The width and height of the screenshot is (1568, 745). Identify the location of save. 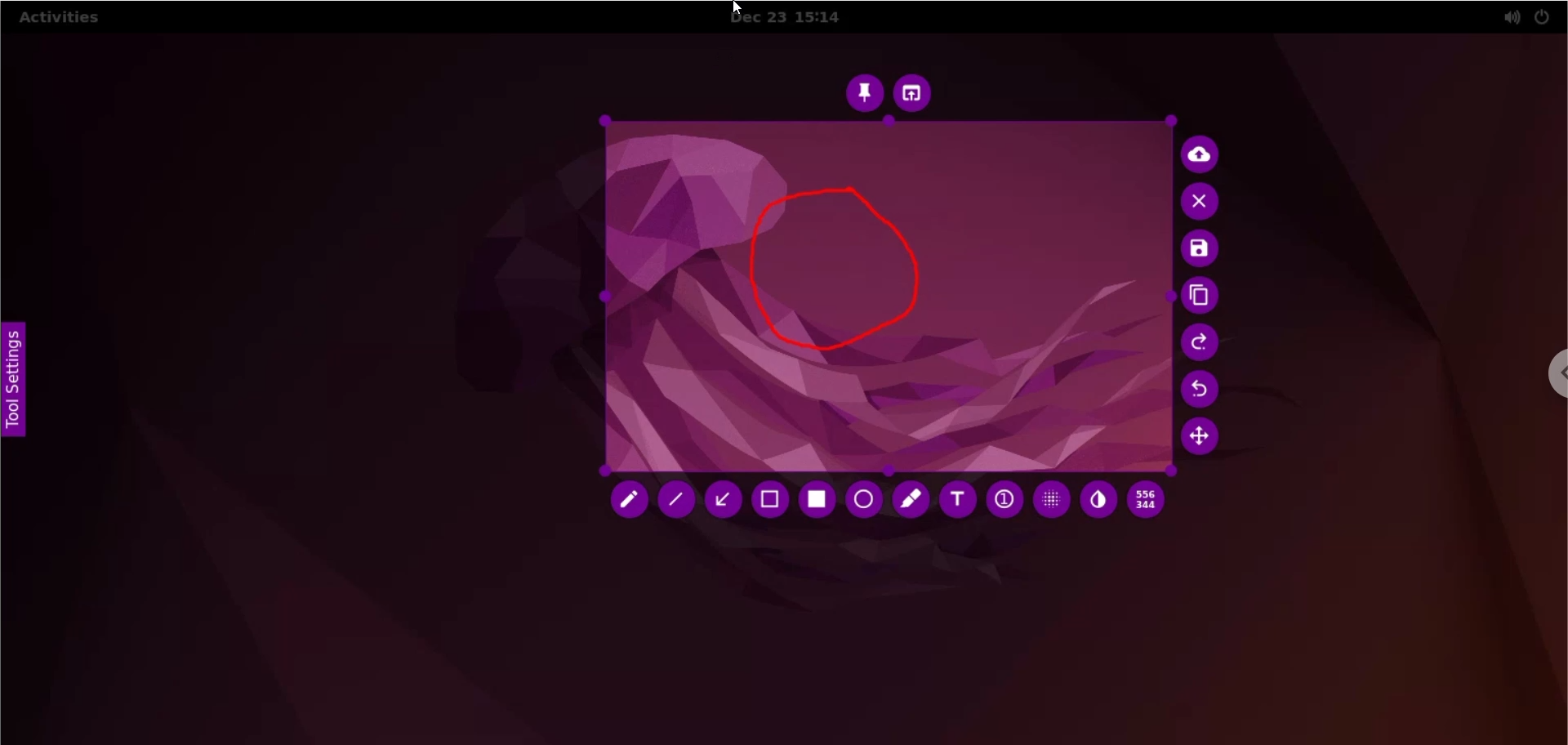
(1205, 250).